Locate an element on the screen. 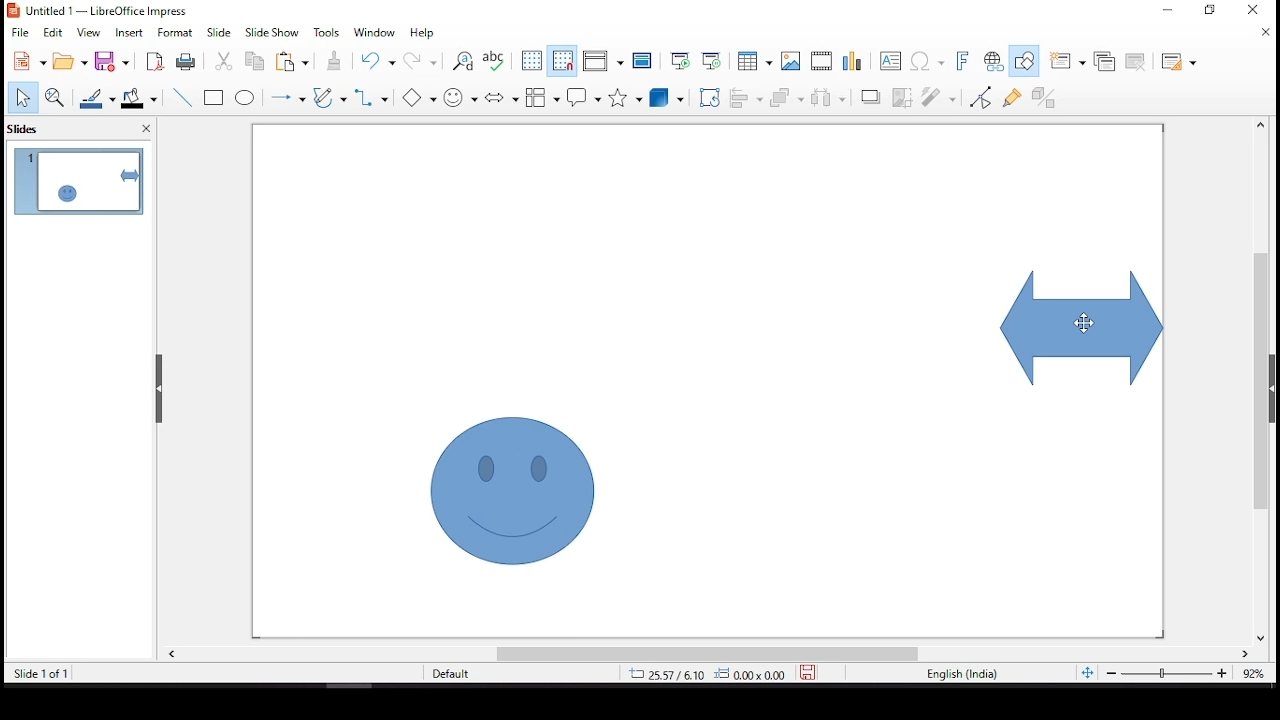 This screenshot has height=720, width=1280. charts is located at coordinates (855, 63).